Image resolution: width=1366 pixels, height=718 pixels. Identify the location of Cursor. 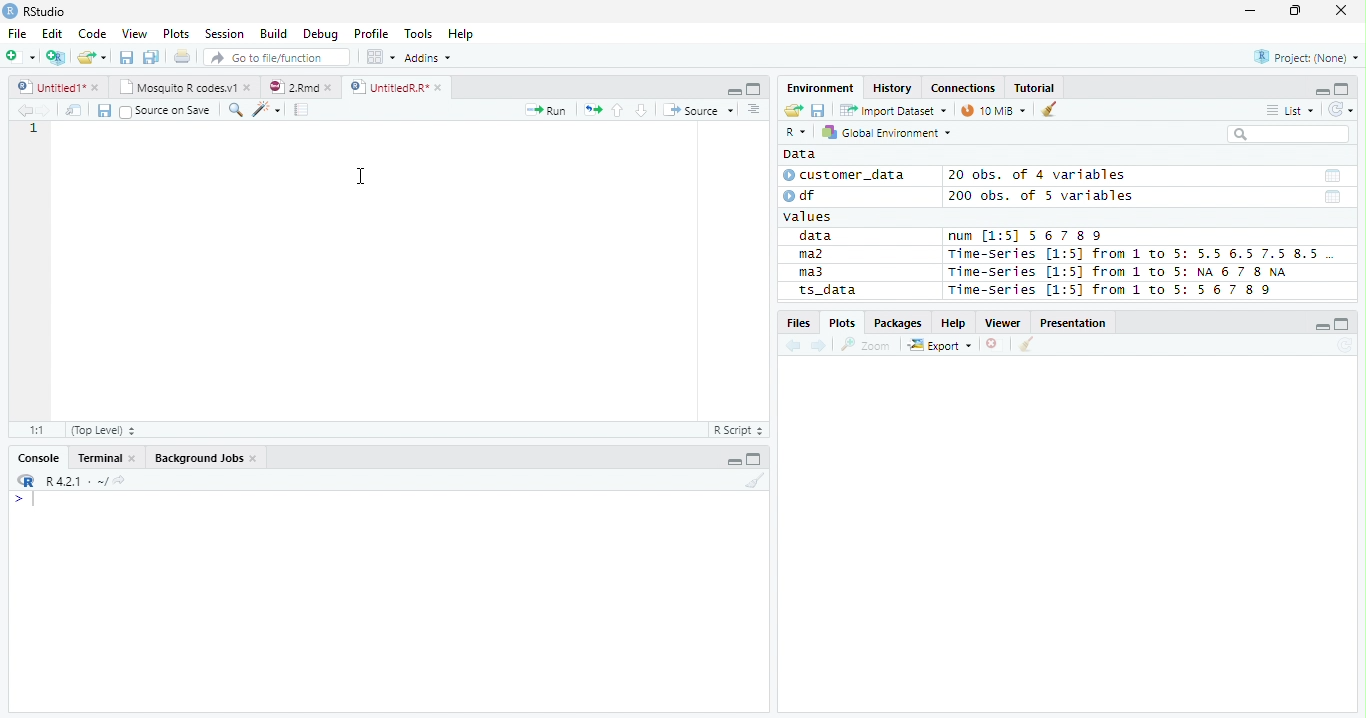
(358, 174).